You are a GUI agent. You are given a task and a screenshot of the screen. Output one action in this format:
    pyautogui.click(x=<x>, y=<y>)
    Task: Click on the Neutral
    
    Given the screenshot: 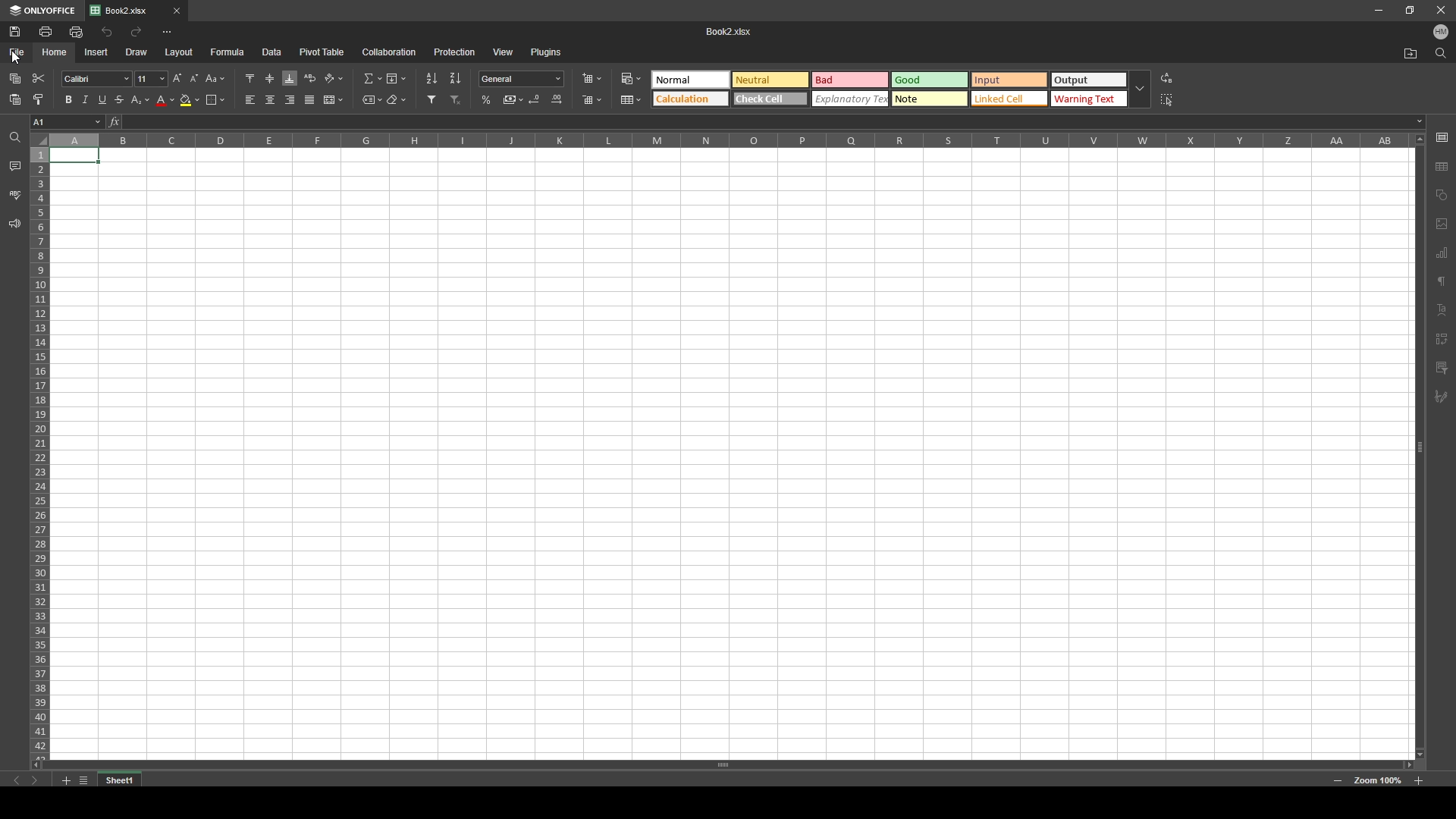 What is the action you would take?
    pyautogui.click(x=771, y=79)
    